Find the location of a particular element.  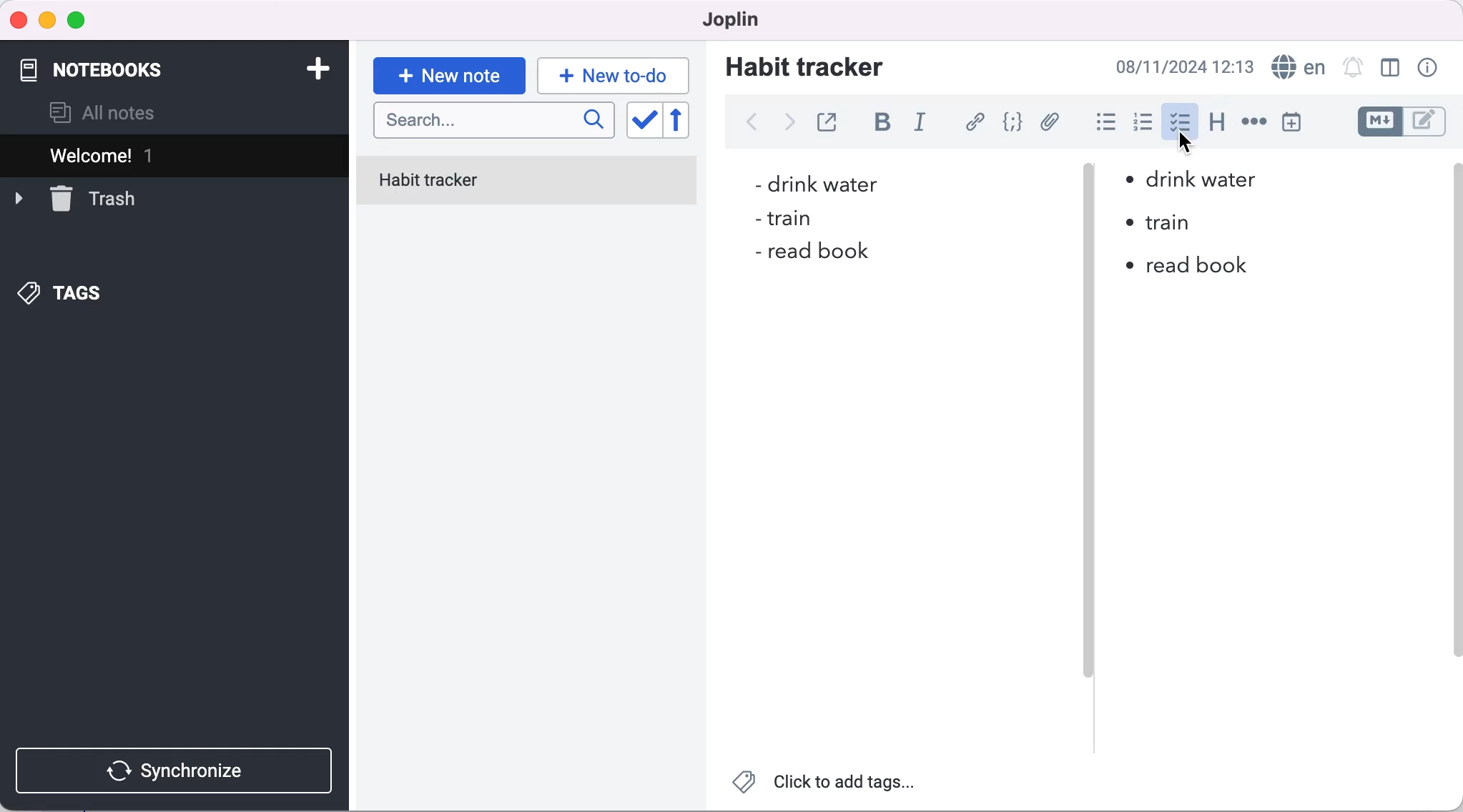

08/11/2024 12:13 is located at coordinates (1181, 66).